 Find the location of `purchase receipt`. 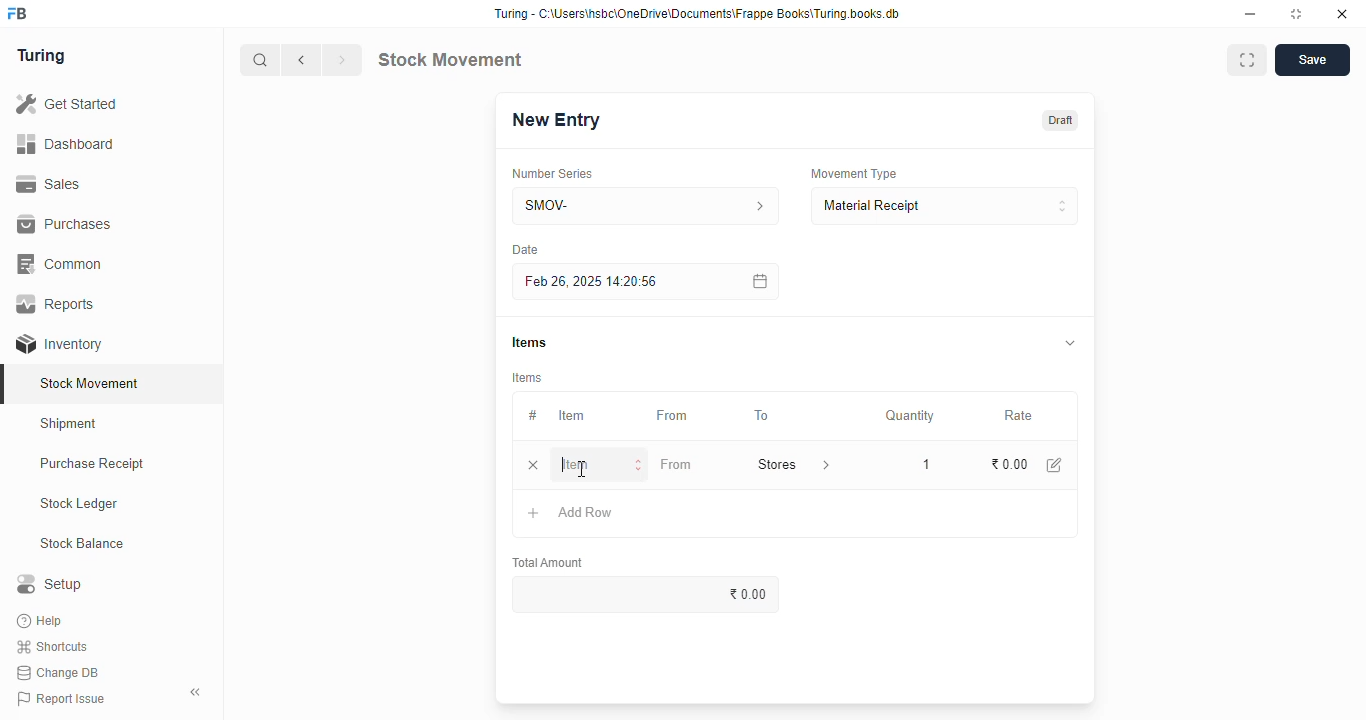

purchase receipt is located at coordinates (92, 463).